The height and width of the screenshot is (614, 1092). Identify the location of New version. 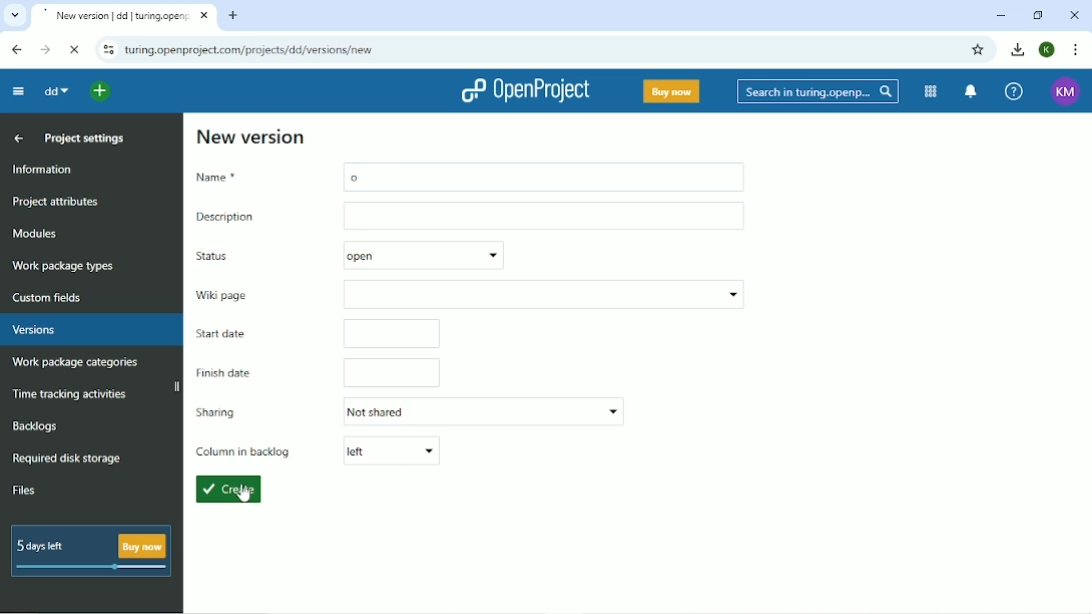
(253, 136).